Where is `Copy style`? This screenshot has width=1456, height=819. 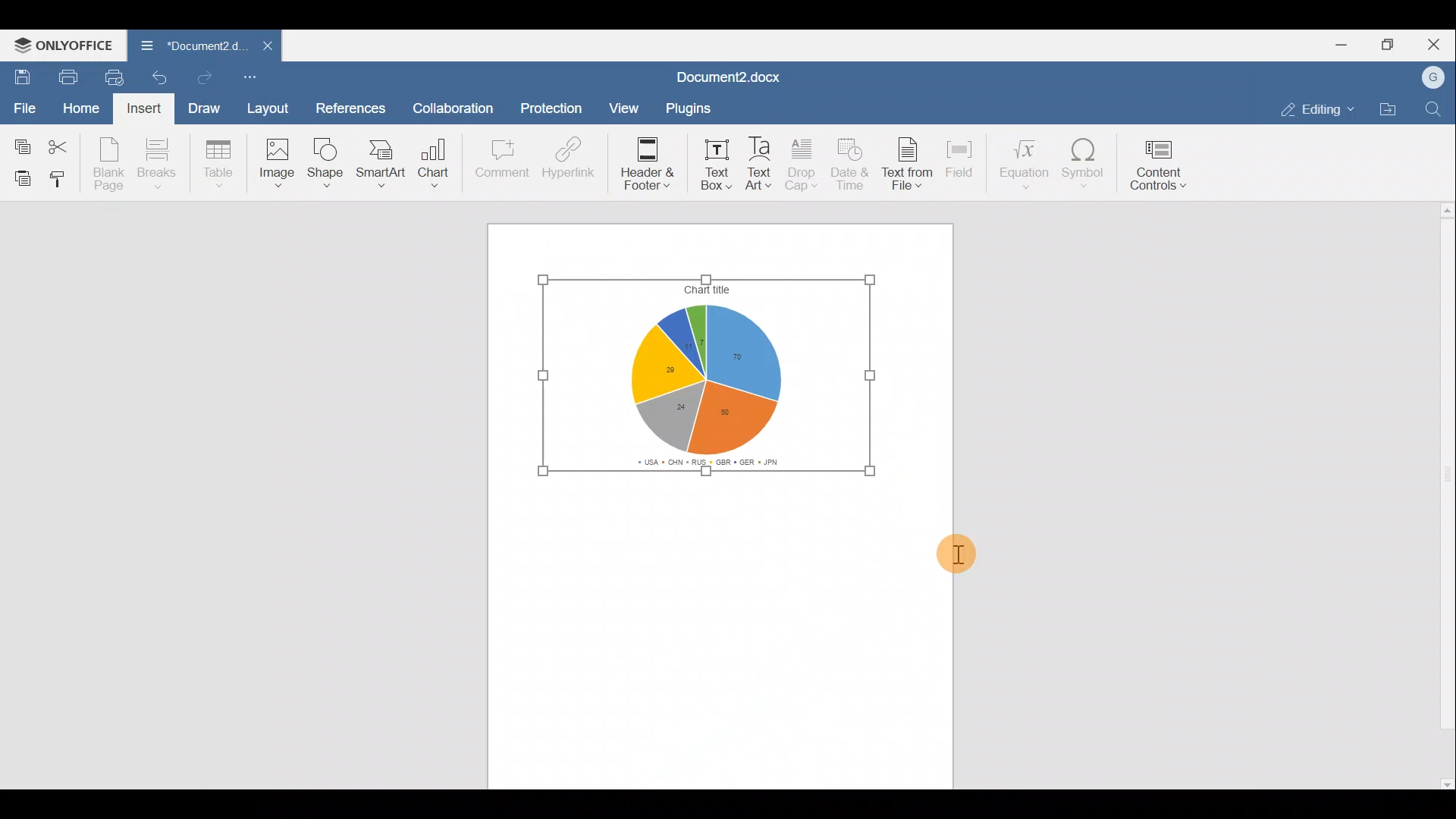 Copy style is located at coordinates (64, 178).